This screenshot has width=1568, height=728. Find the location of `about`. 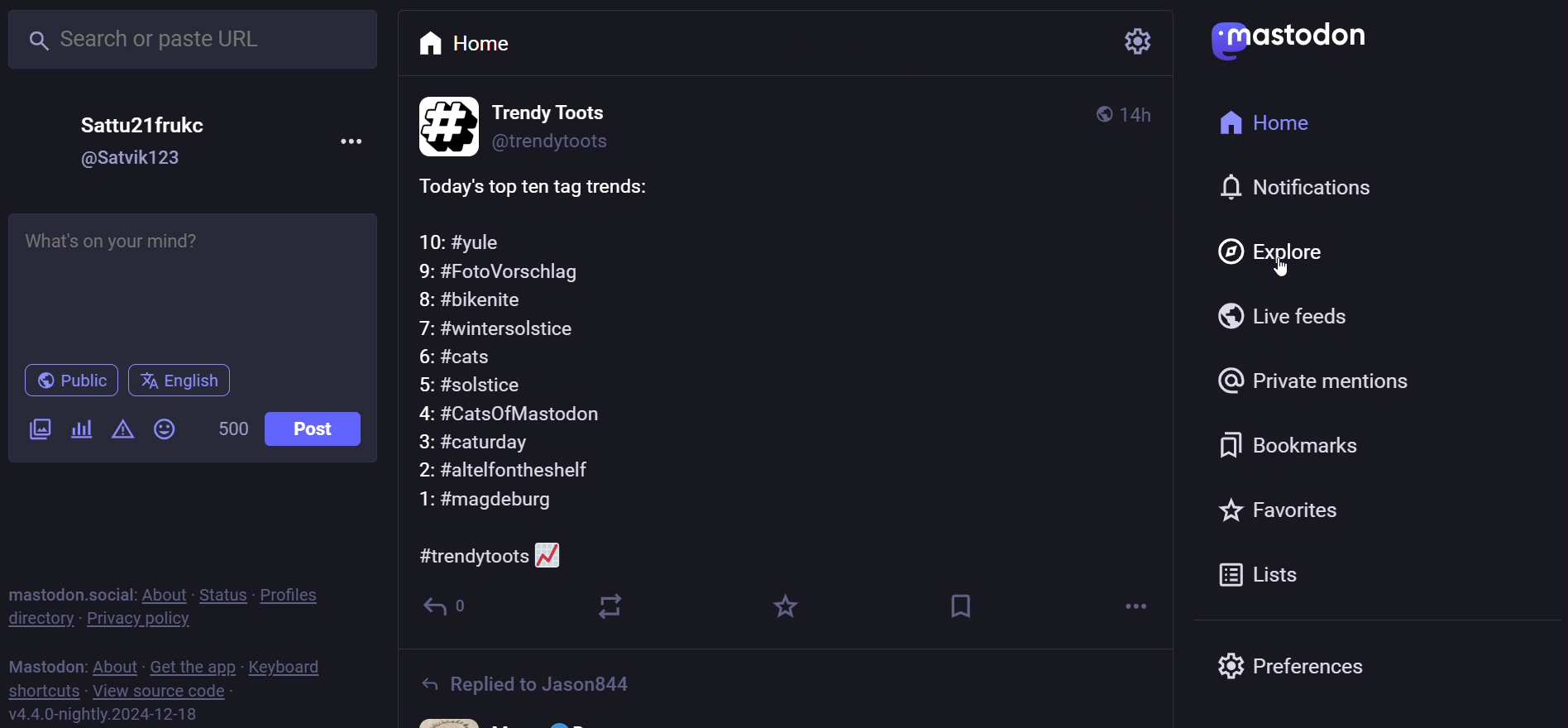

about is located at coordinates (112, 665).